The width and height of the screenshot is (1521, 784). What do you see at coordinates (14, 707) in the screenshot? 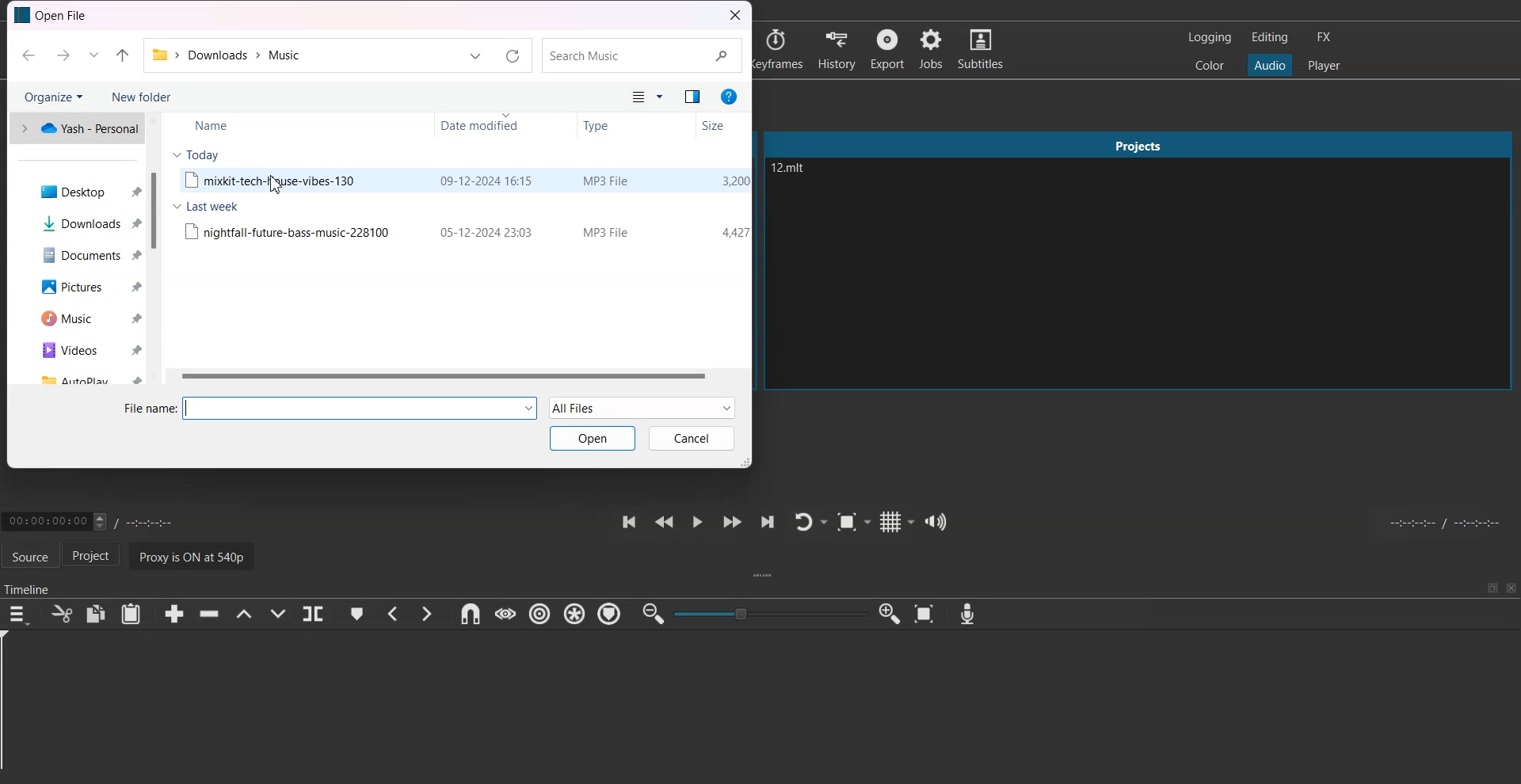
I see `Playhead` at bounding box center [14, 707].